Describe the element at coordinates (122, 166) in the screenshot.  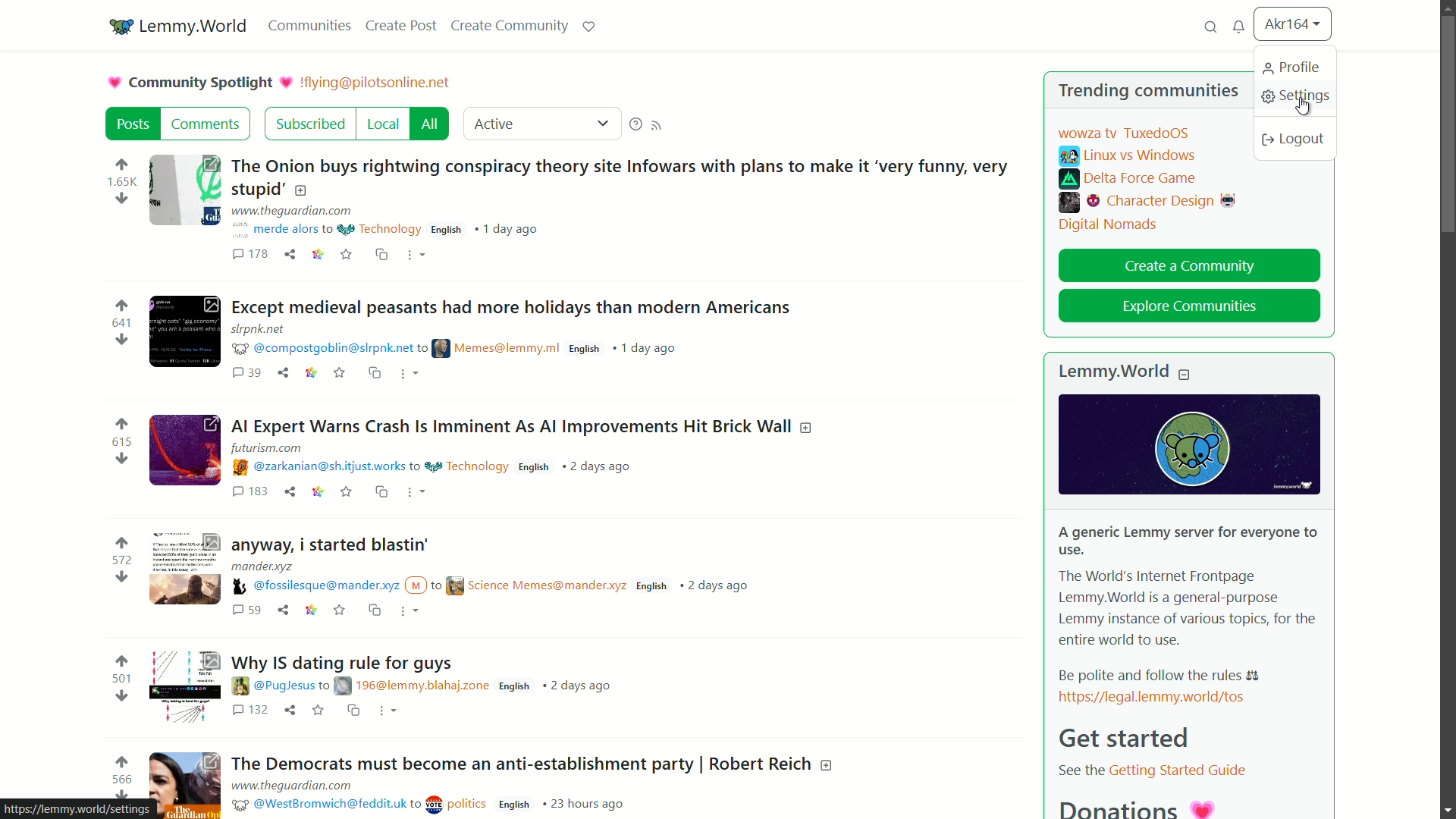
I see `upvote` at that location.